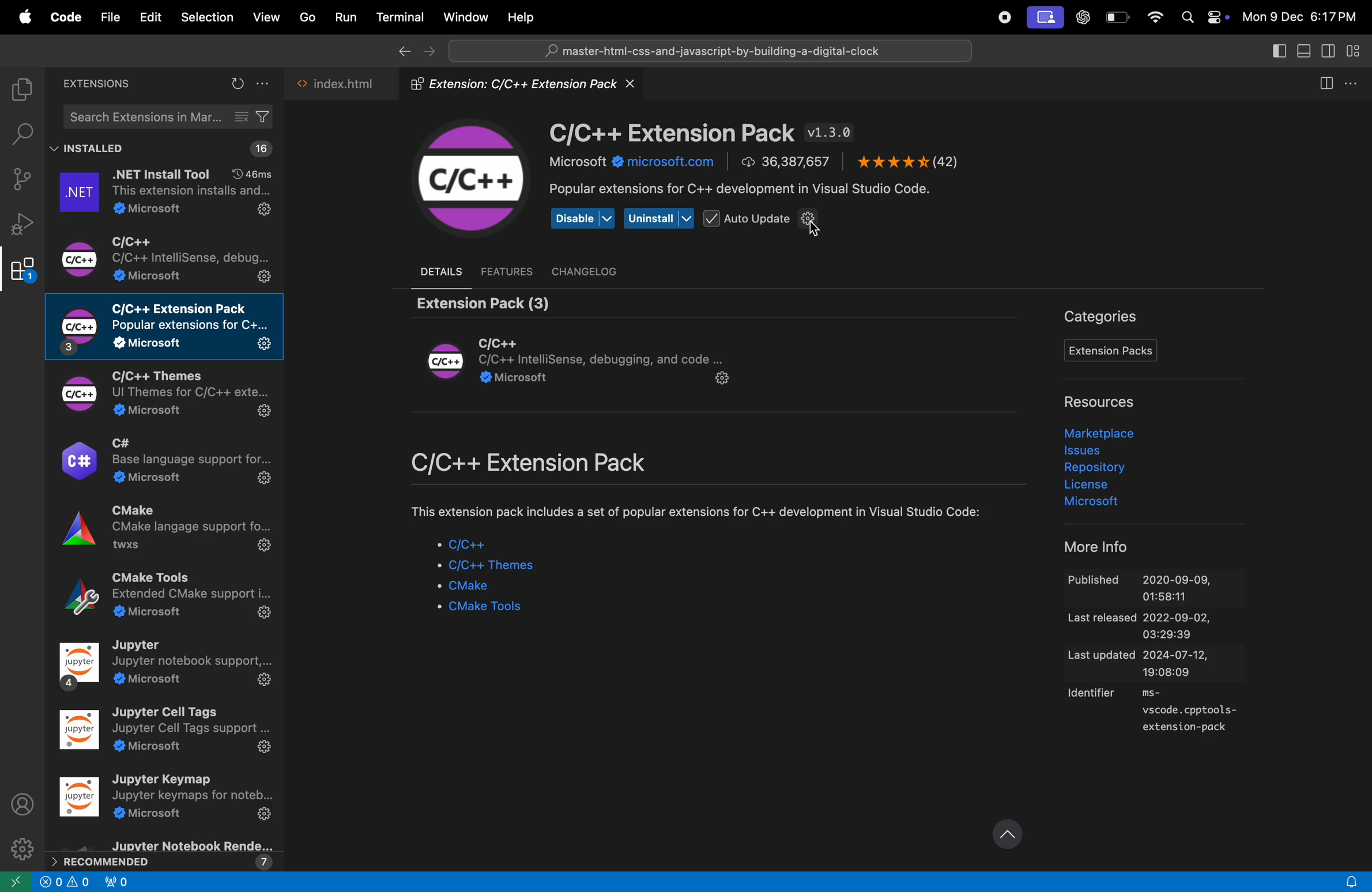 The image size is (1372, 892). What do you see at coordinates (1322, 83) in the screenshot?
I see `split editor` at bounding box center [1322, 83].